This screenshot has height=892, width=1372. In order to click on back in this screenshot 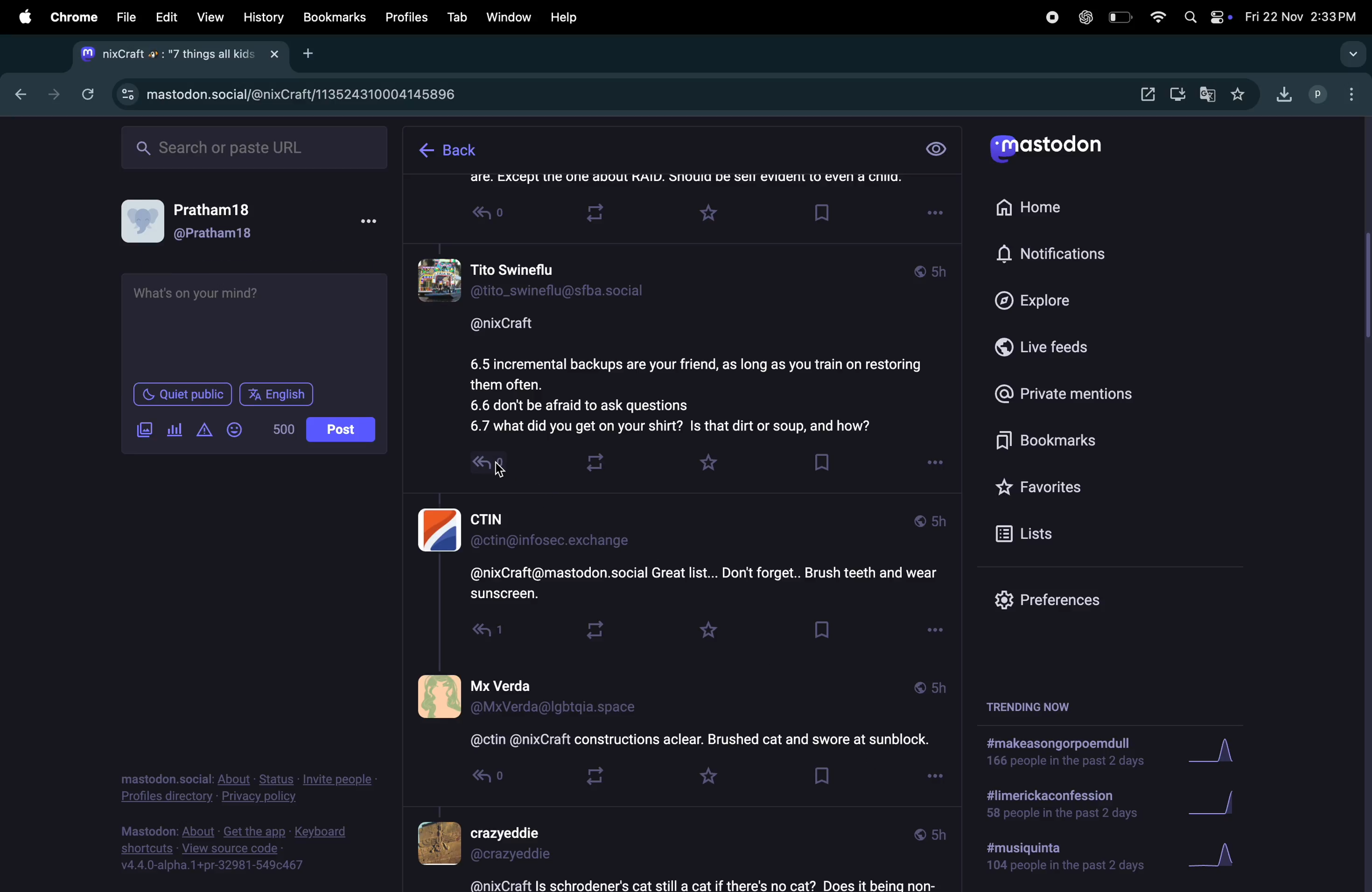, I will do `click(450, 146)`.